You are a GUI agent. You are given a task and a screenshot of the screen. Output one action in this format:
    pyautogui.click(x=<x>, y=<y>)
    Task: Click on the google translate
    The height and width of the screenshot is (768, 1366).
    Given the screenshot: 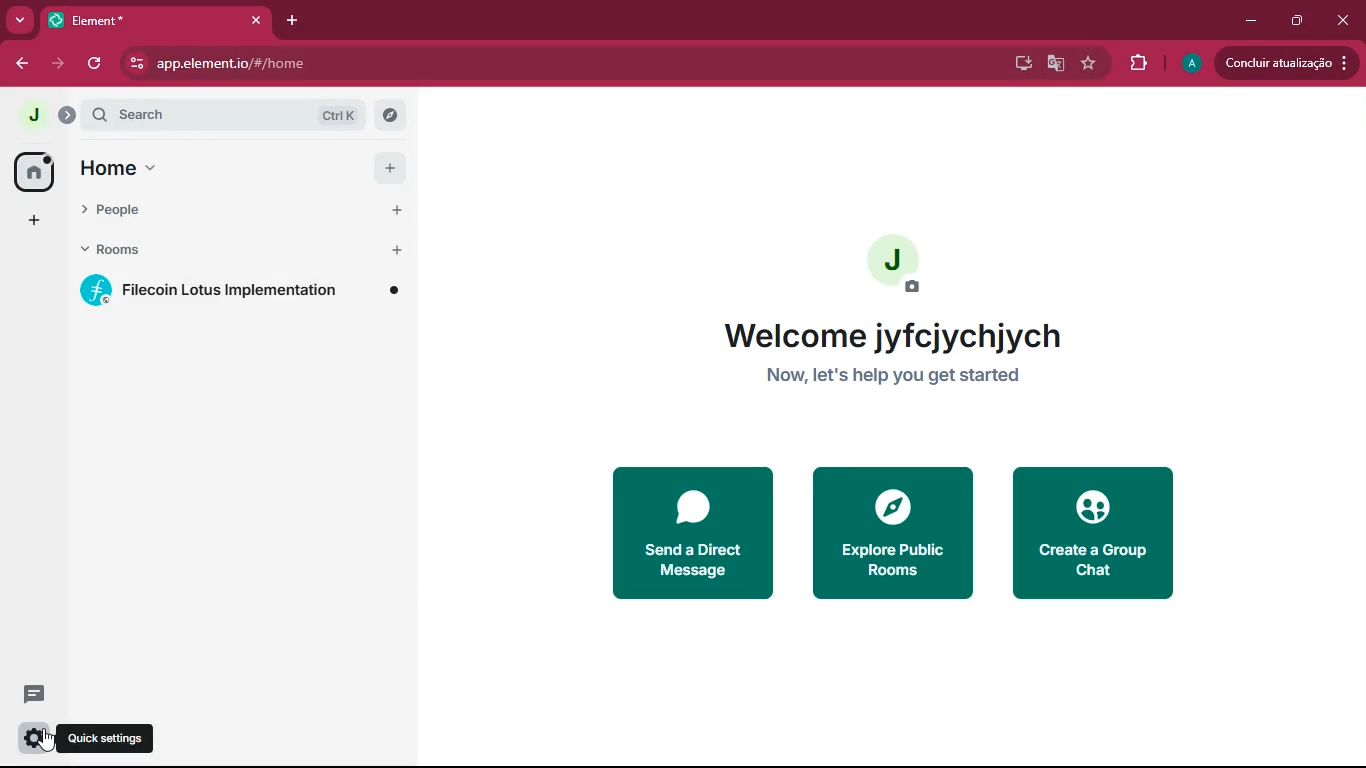 What is the action you would take?
    pyautogui.click(x=1054, y=62)
    